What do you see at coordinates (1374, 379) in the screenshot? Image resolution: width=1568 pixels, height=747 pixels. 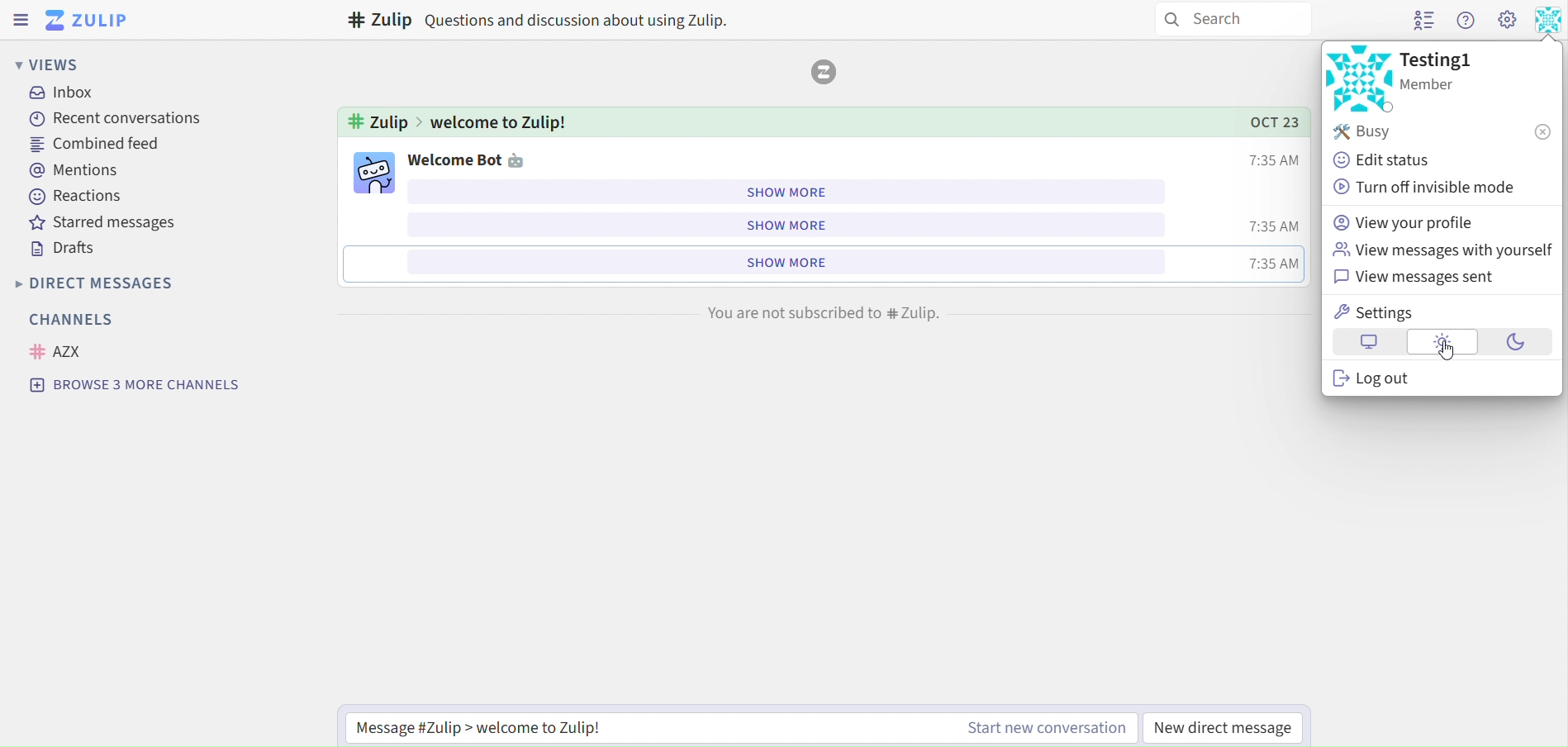 I see `log out` at bounding box center [1374, 379].